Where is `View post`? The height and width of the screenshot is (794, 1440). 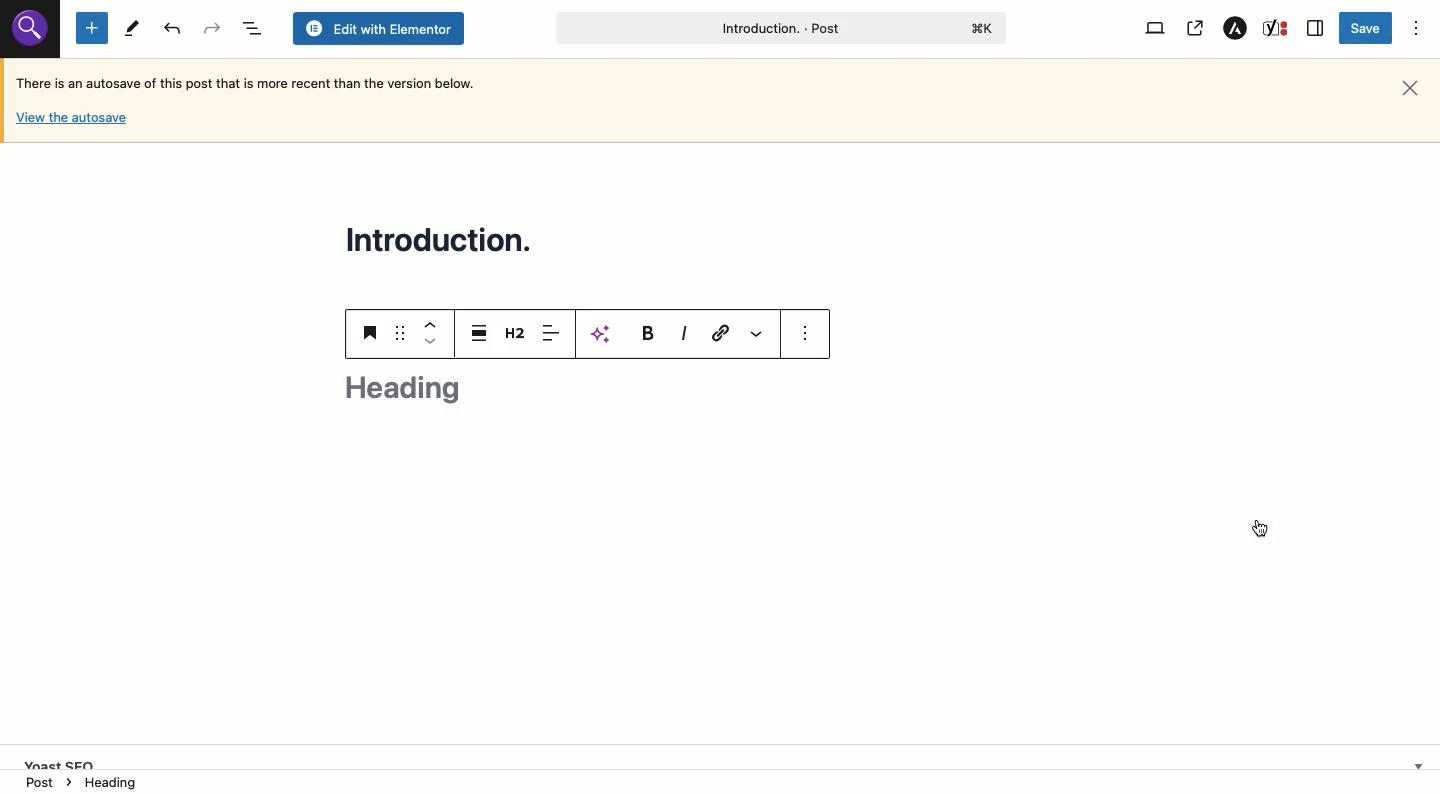 View post is located at coordinates (1194, 29).